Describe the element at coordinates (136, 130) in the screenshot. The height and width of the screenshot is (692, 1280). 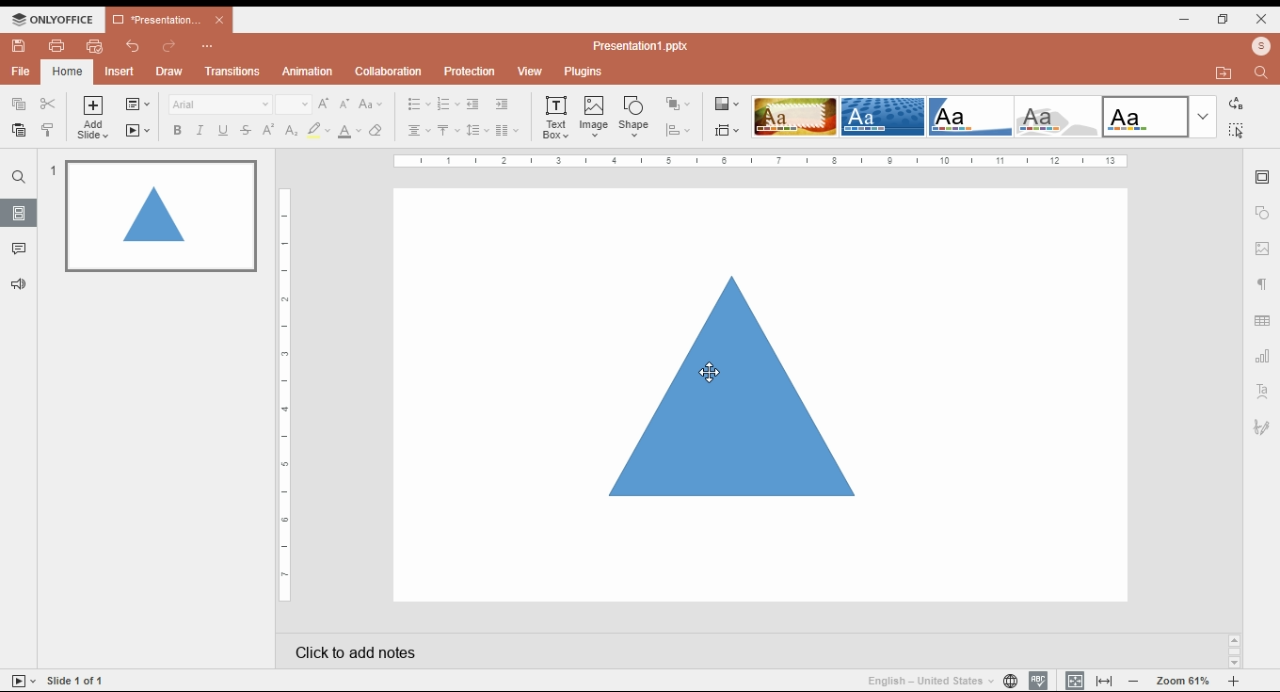
I see `start slideshow` at that location.